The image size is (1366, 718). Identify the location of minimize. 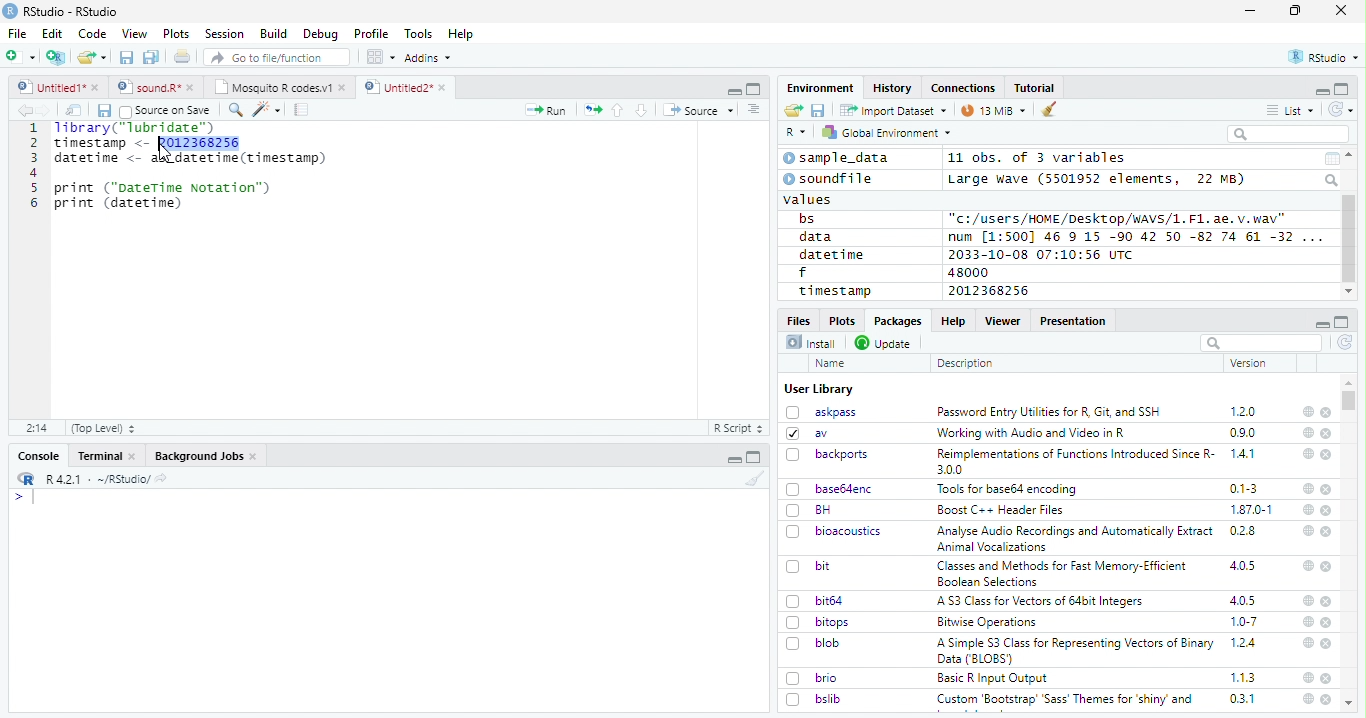
(1321, 322).